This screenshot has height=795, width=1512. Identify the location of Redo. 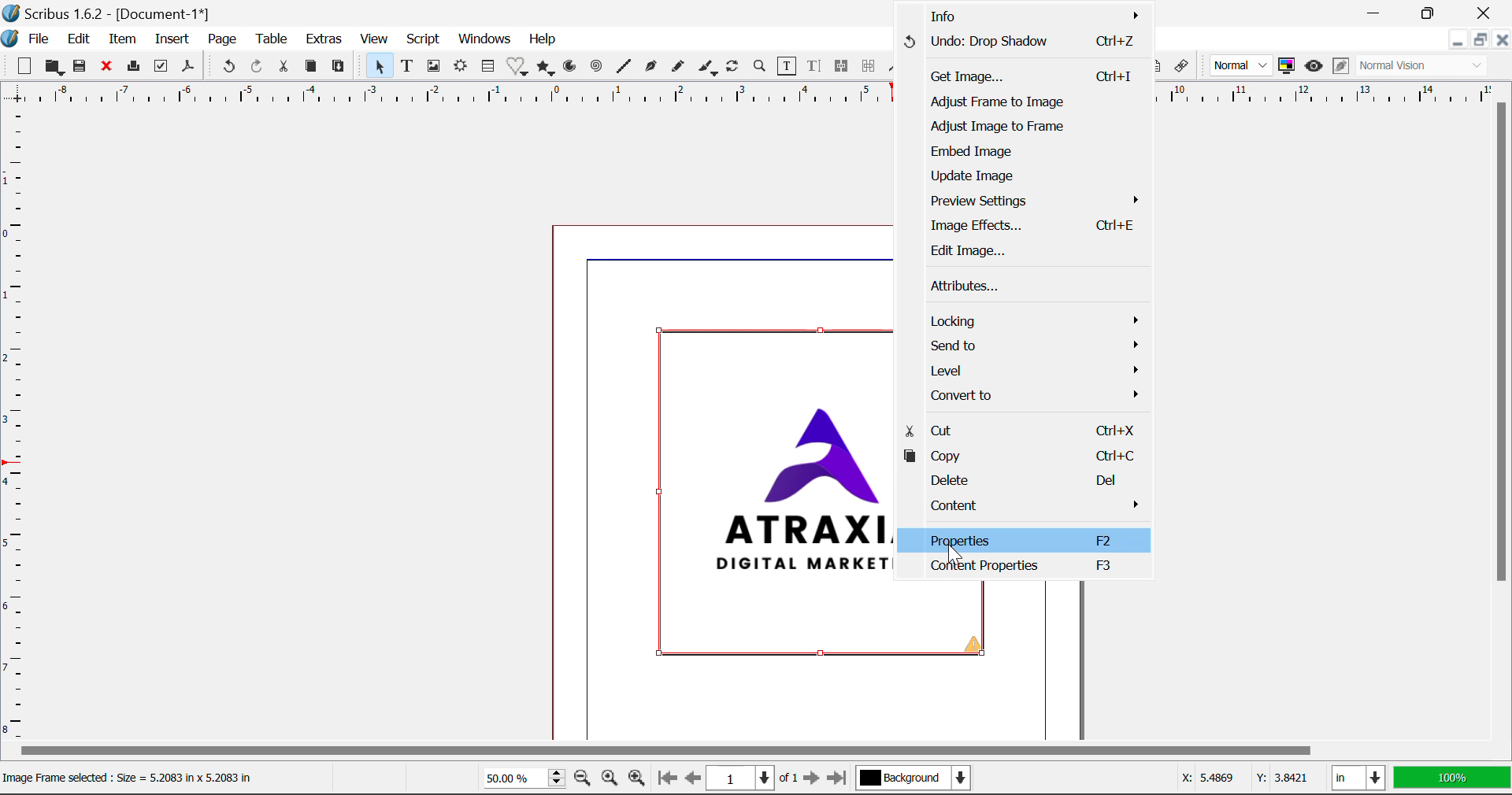
(258, 68).